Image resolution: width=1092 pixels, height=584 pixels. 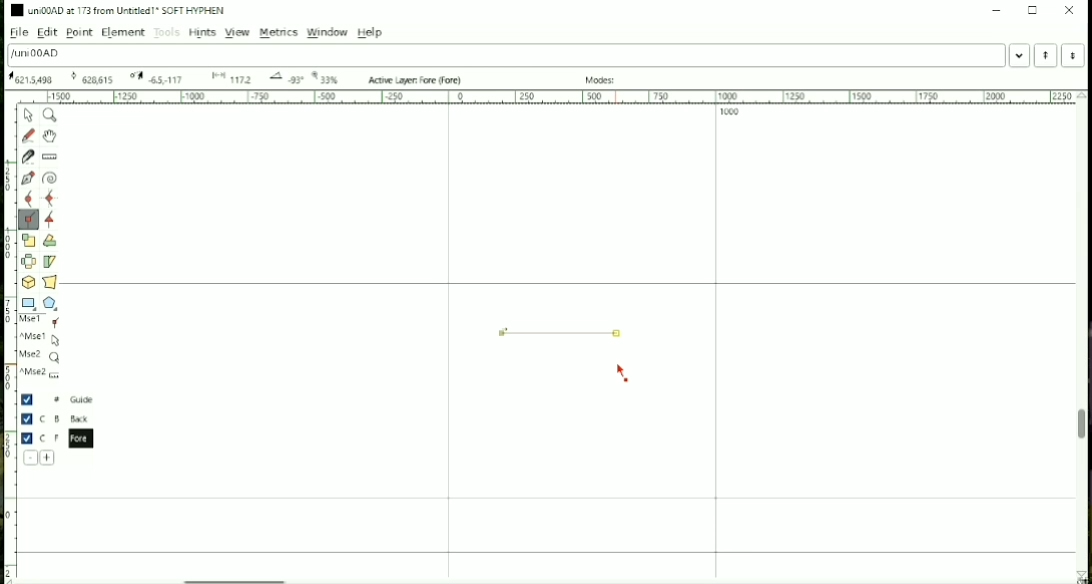 What do you see at coordinates (28, 240) in the screenshot?
I see `Scale the selection` at bounding box center [28, 240].